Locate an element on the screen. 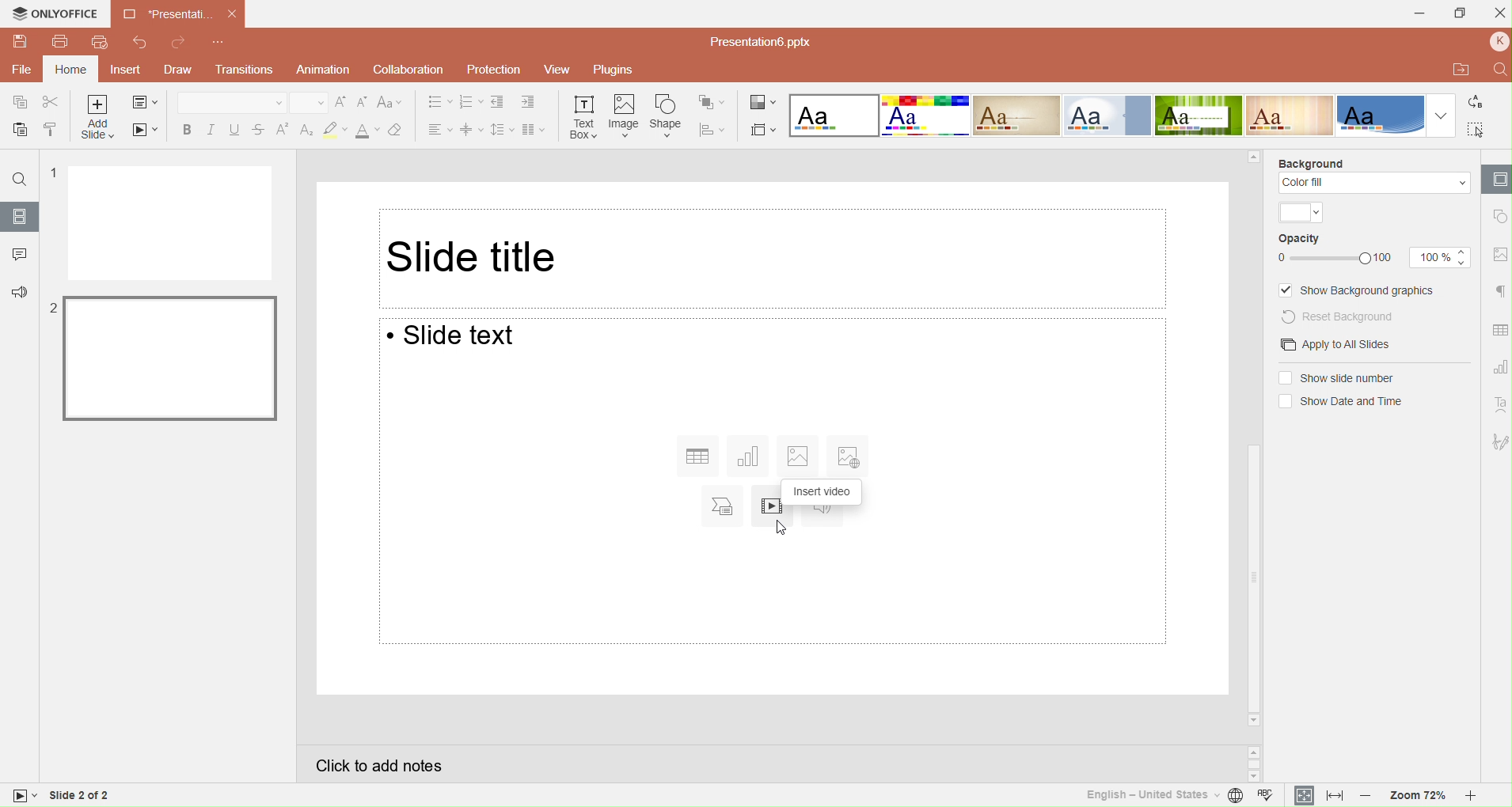 This screenshot has height=807, width=1512. Horizontal scrollbar is located at coordinates (1252, 438).